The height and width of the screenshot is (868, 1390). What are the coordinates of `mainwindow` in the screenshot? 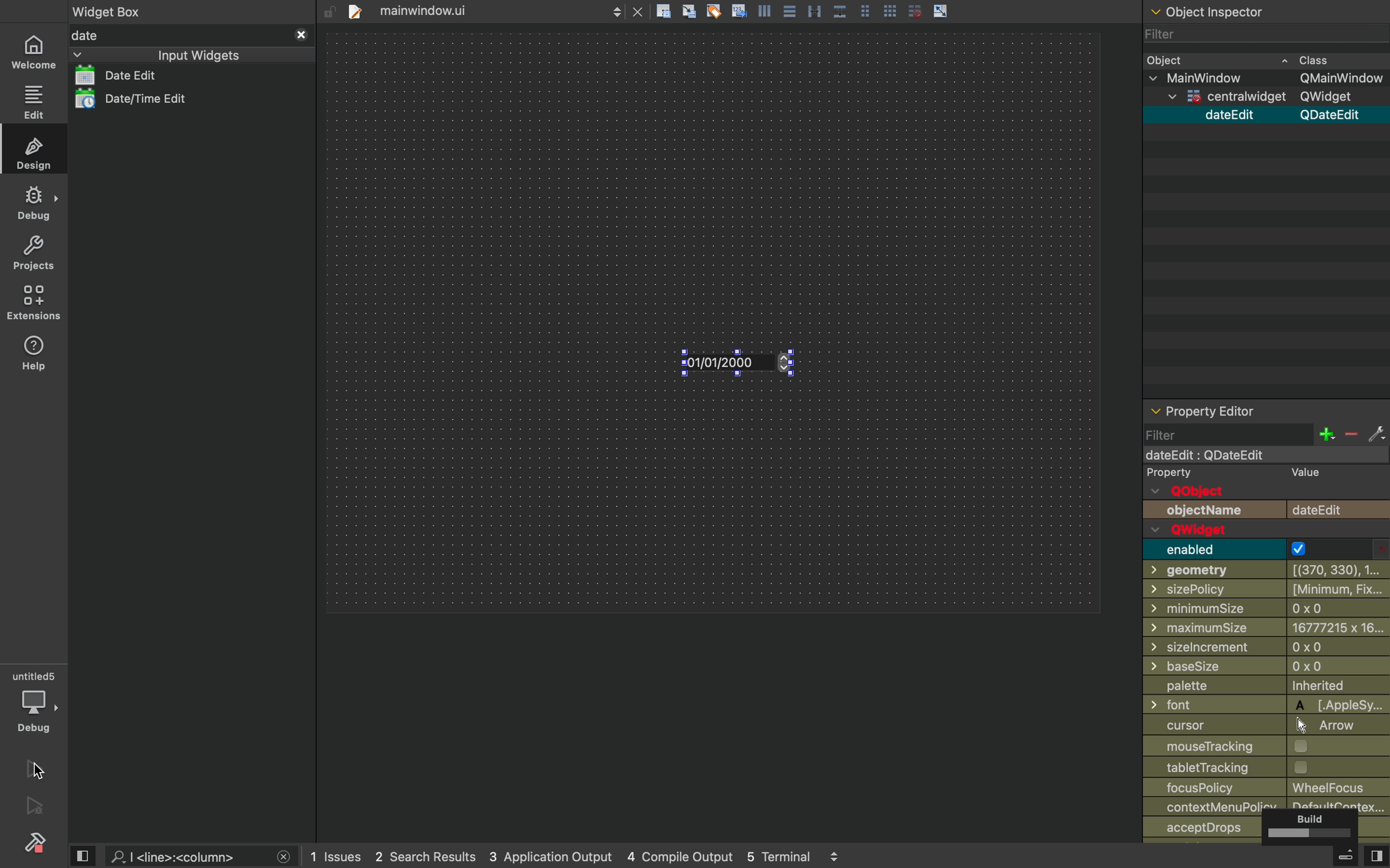 It's located at (1267, 79).